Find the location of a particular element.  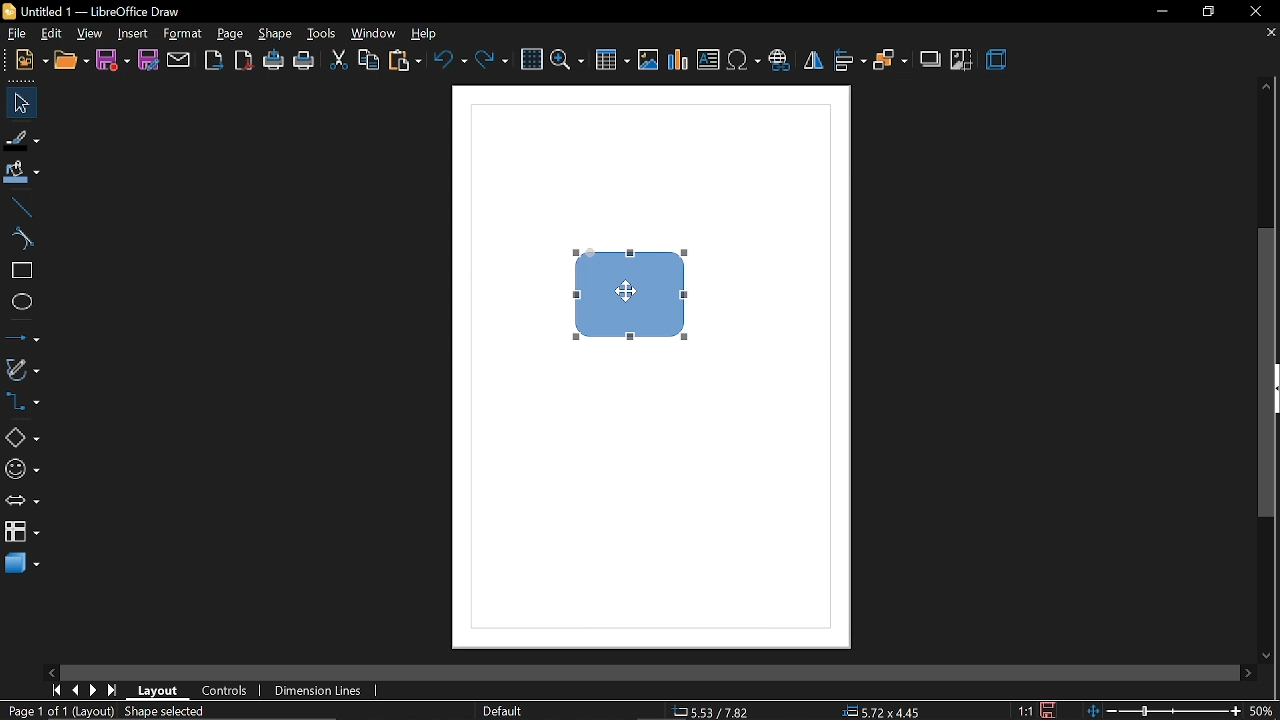

cut is located at coordinates (340, 60).